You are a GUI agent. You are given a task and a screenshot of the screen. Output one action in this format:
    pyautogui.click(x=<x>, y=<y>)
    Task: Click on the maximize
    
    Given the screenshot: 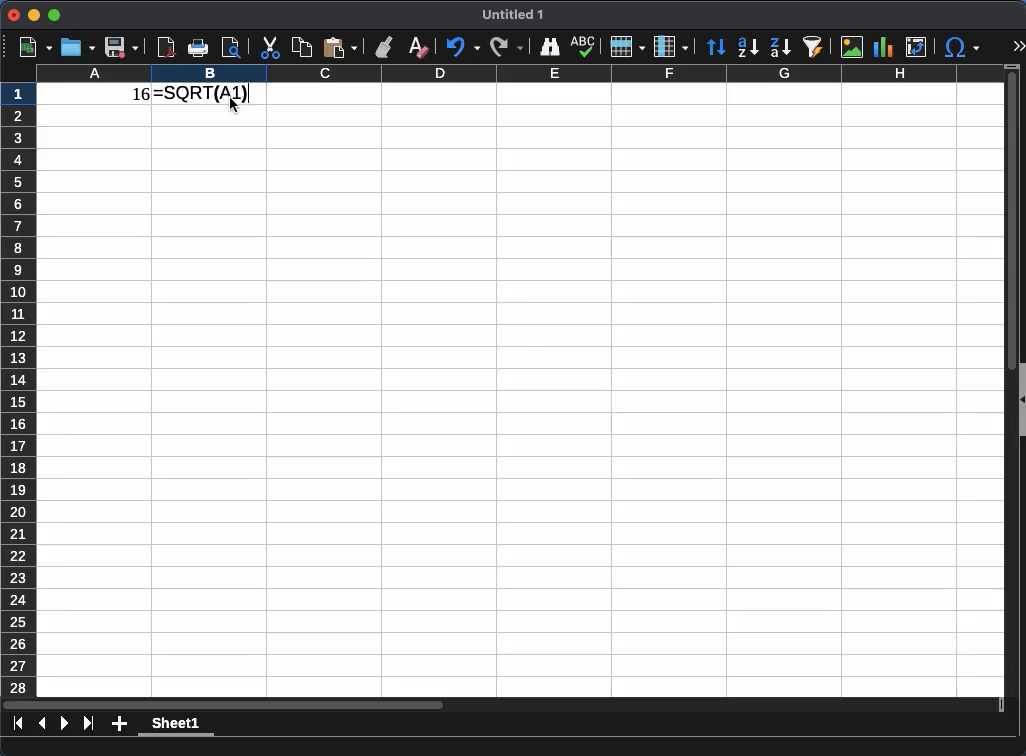 What is the action you would take?
    pyautogui.click(x=56, y=14)
    